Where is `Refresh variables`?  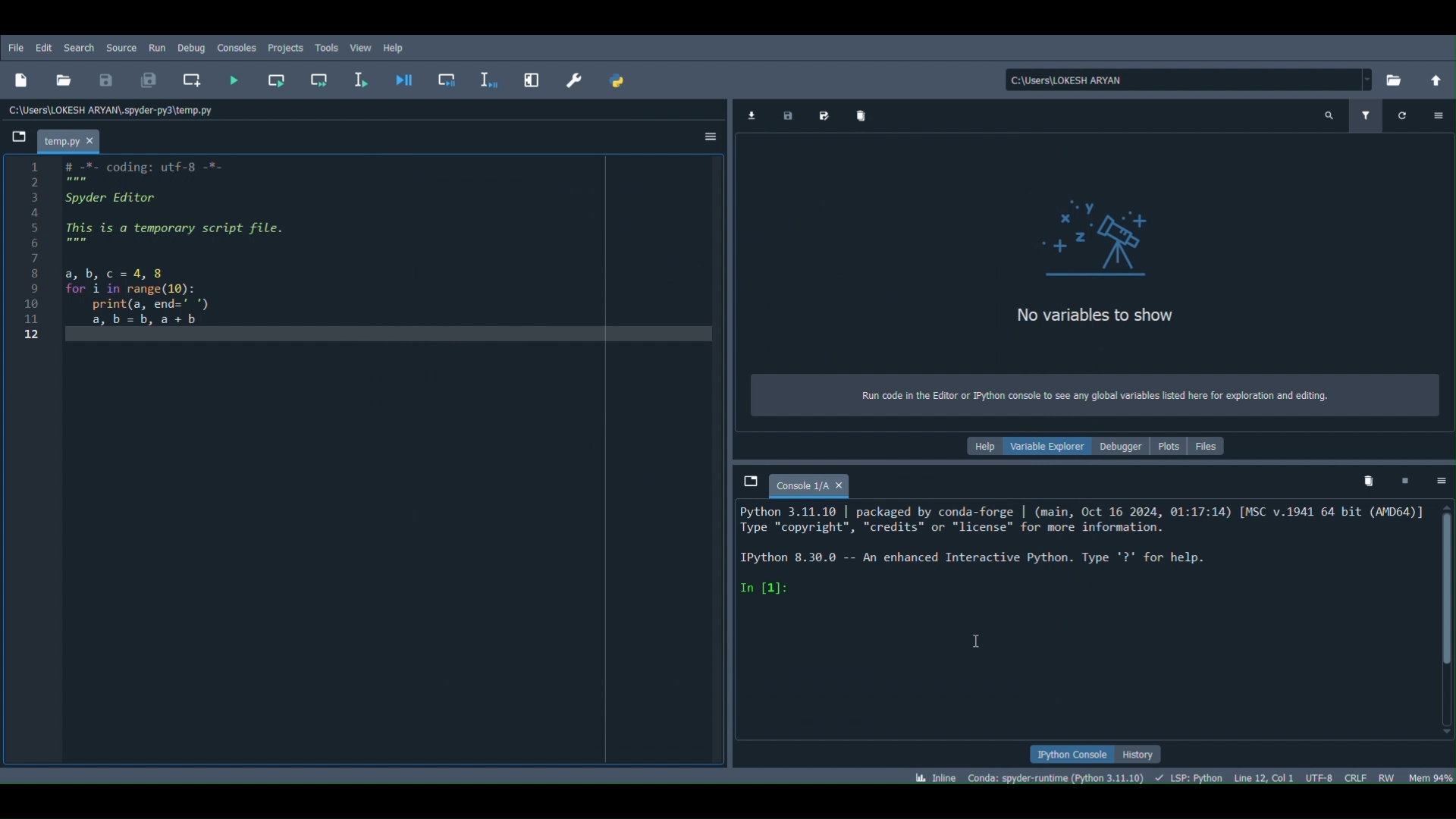
Refresh variables is located at coordinates (1401, 113).